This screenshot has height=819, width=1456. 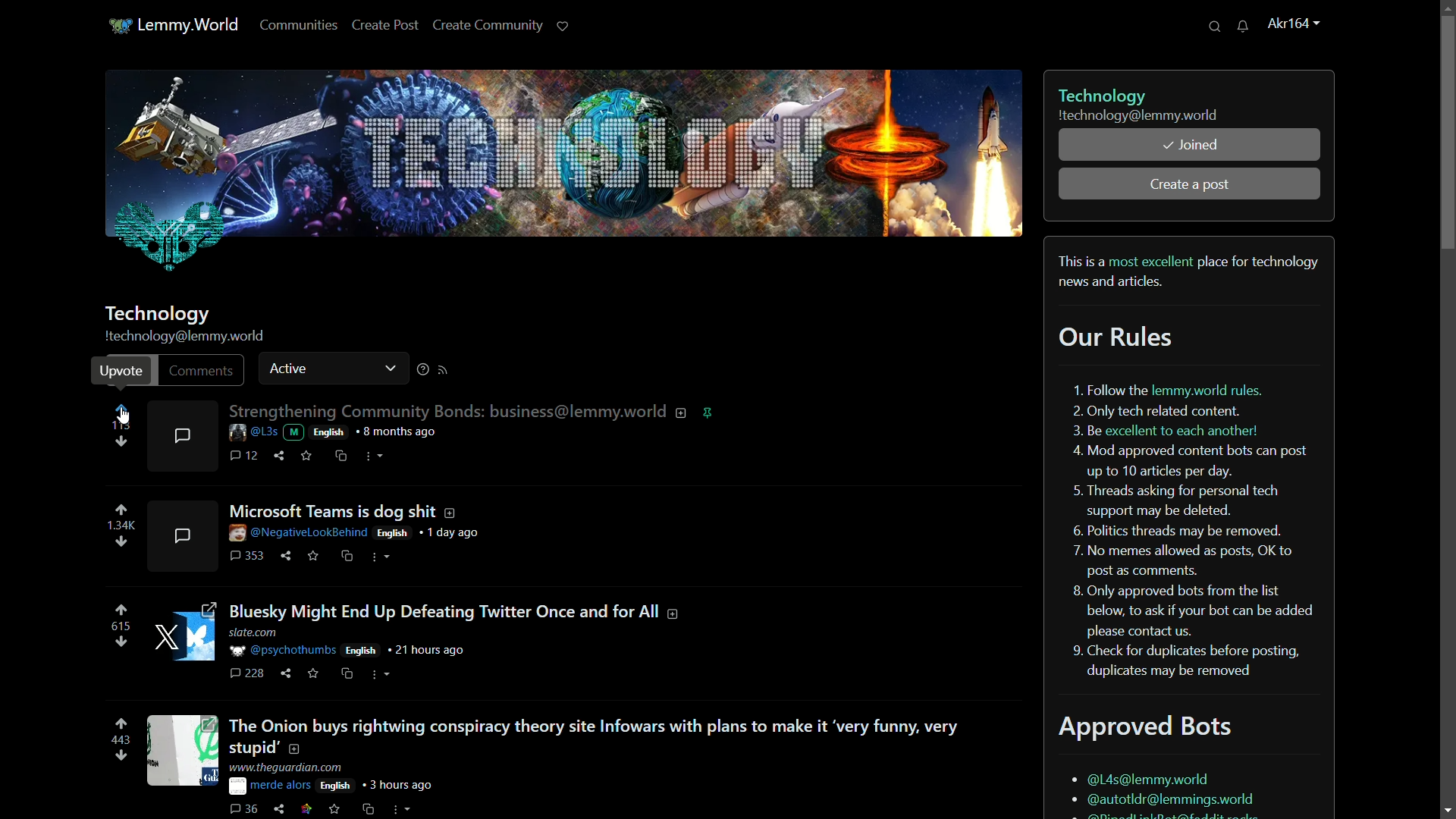 What do you see at coordinates (565, 24) in the screenshot?
I see `support lemmy` at bounding box center [565, 24].